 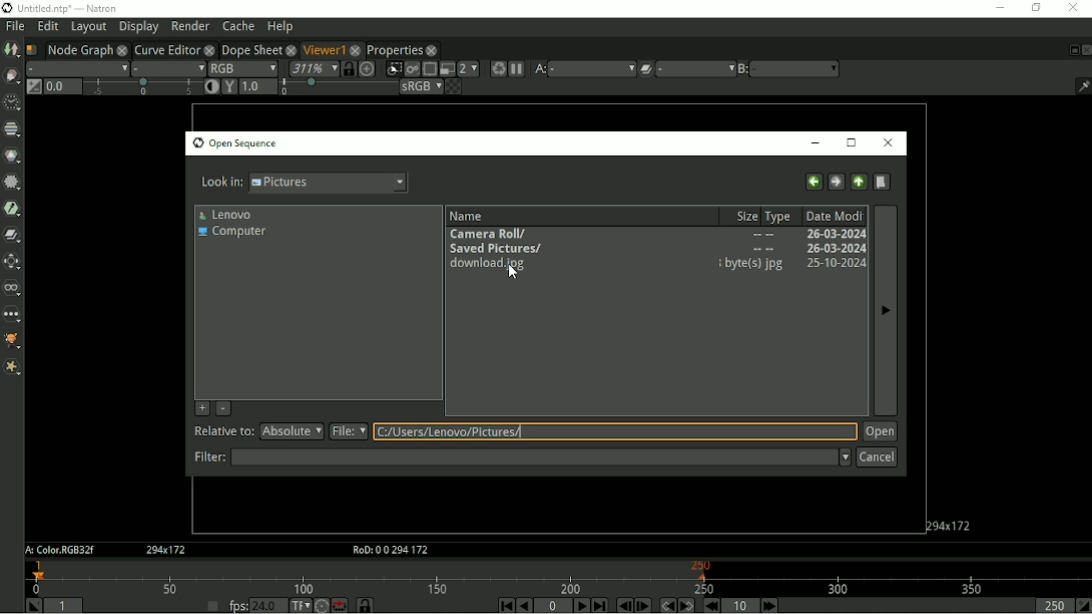 I want to click on Transform, so click(x=12, y=260).